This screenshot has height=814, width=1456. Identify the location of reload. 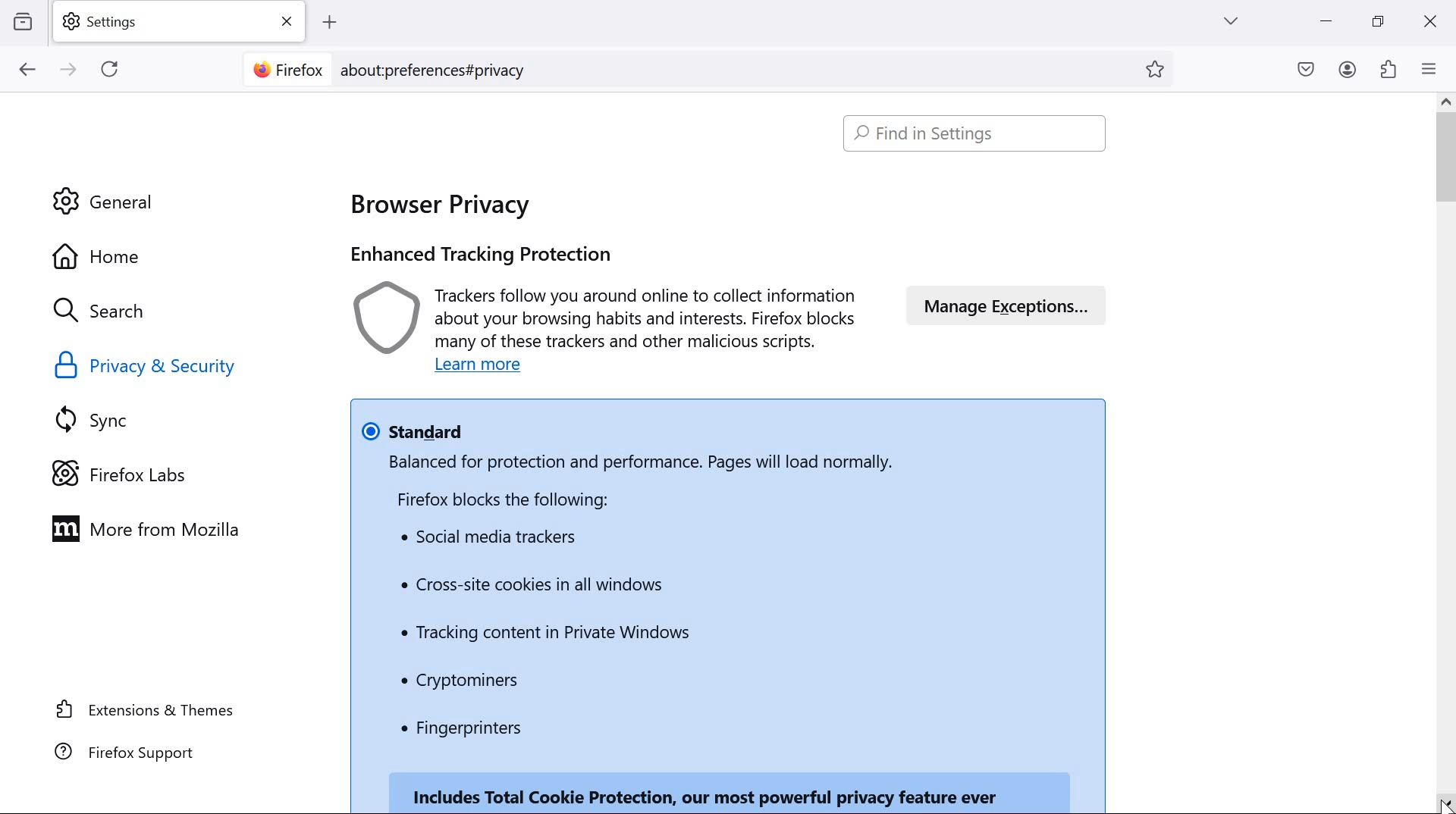
(109, 68).